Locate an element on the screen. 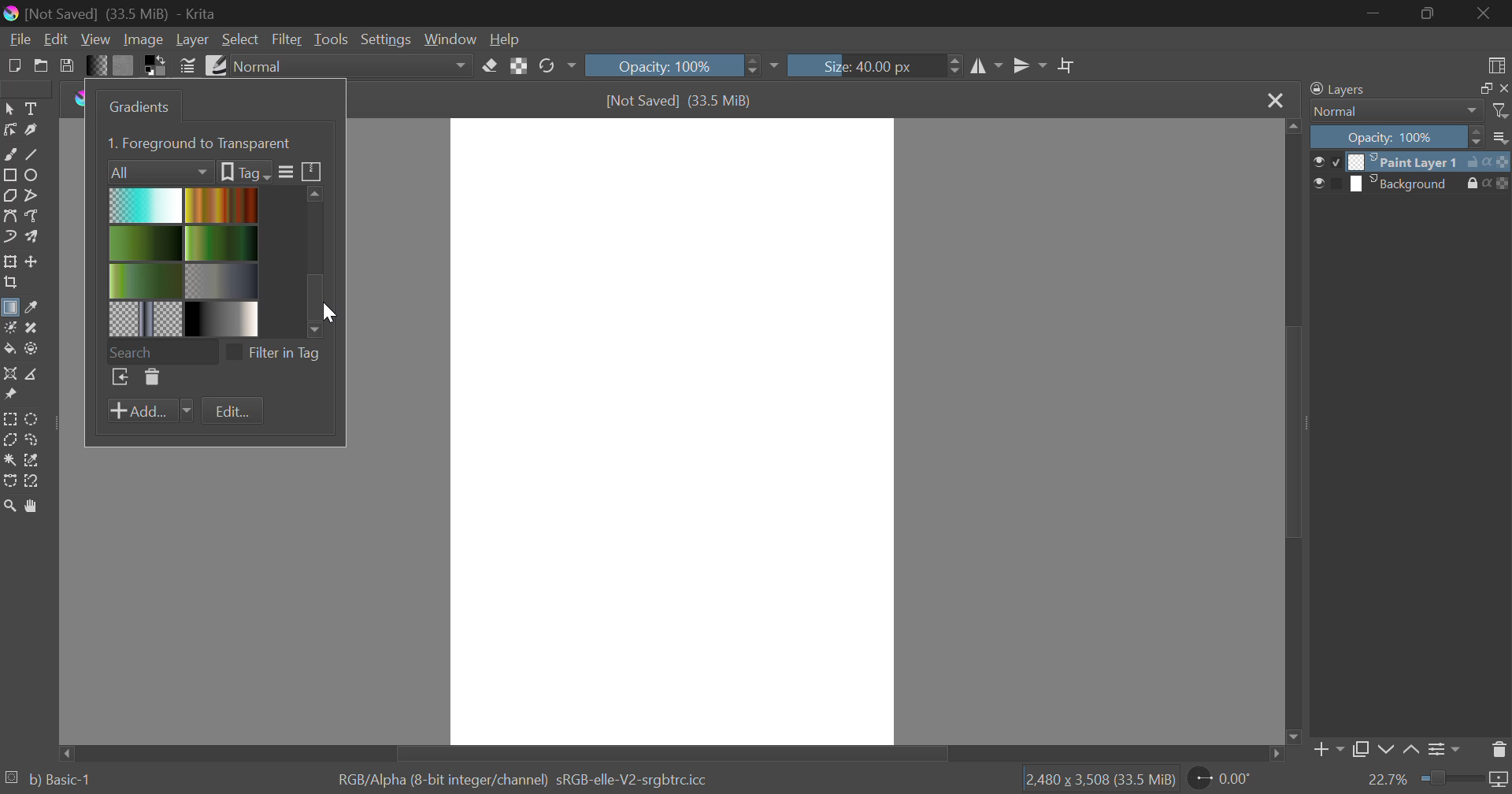 The image size is (1512, 794). Horizontal Mirror Flip is located at coordinates (1026, 68).